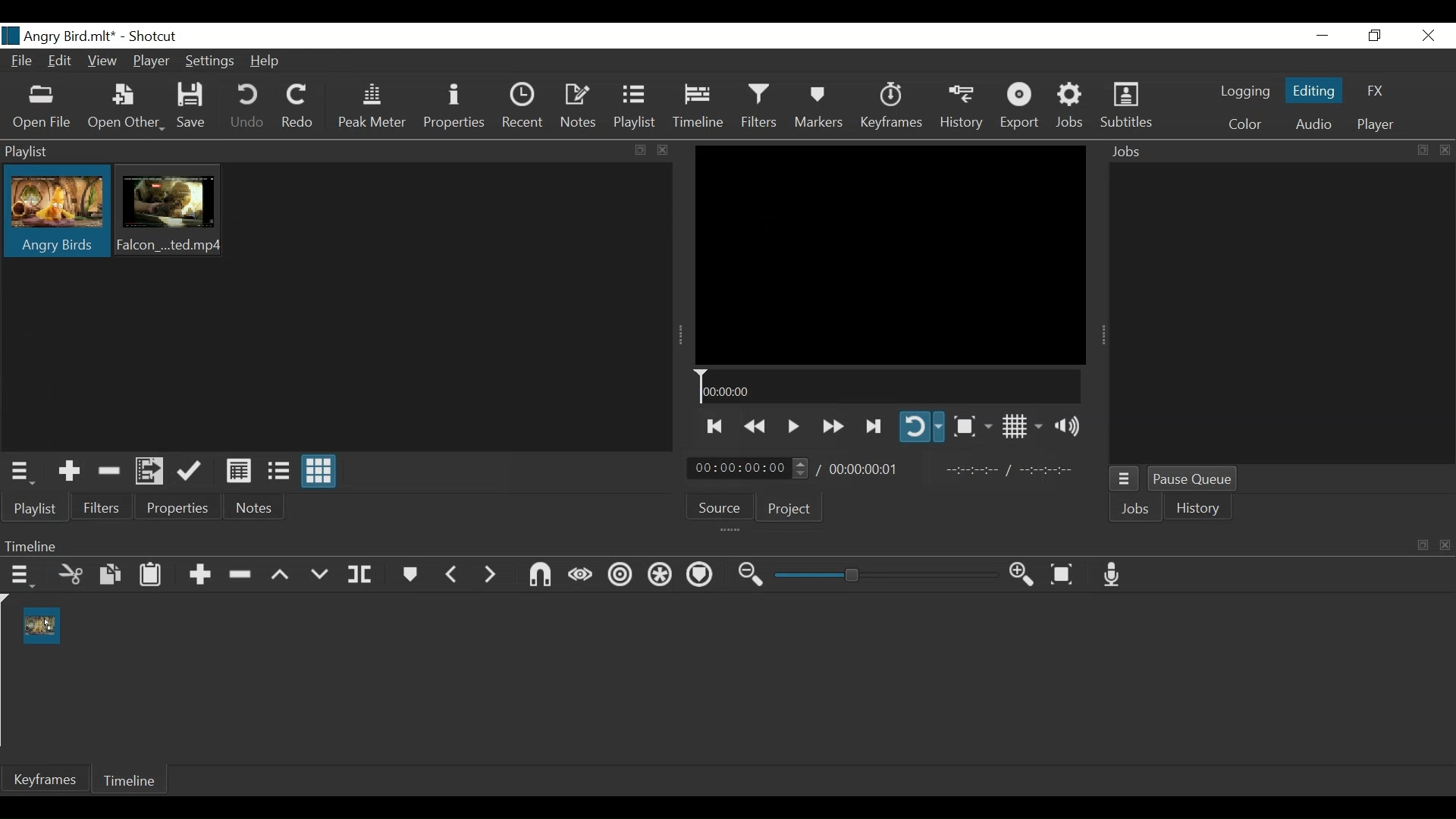 Image resolution: width=1456 pixels, height=819 pixels. What do you see at coordinates (300, 106) in the screenshot?
I see `Redo` at bounding box center [300, 106].